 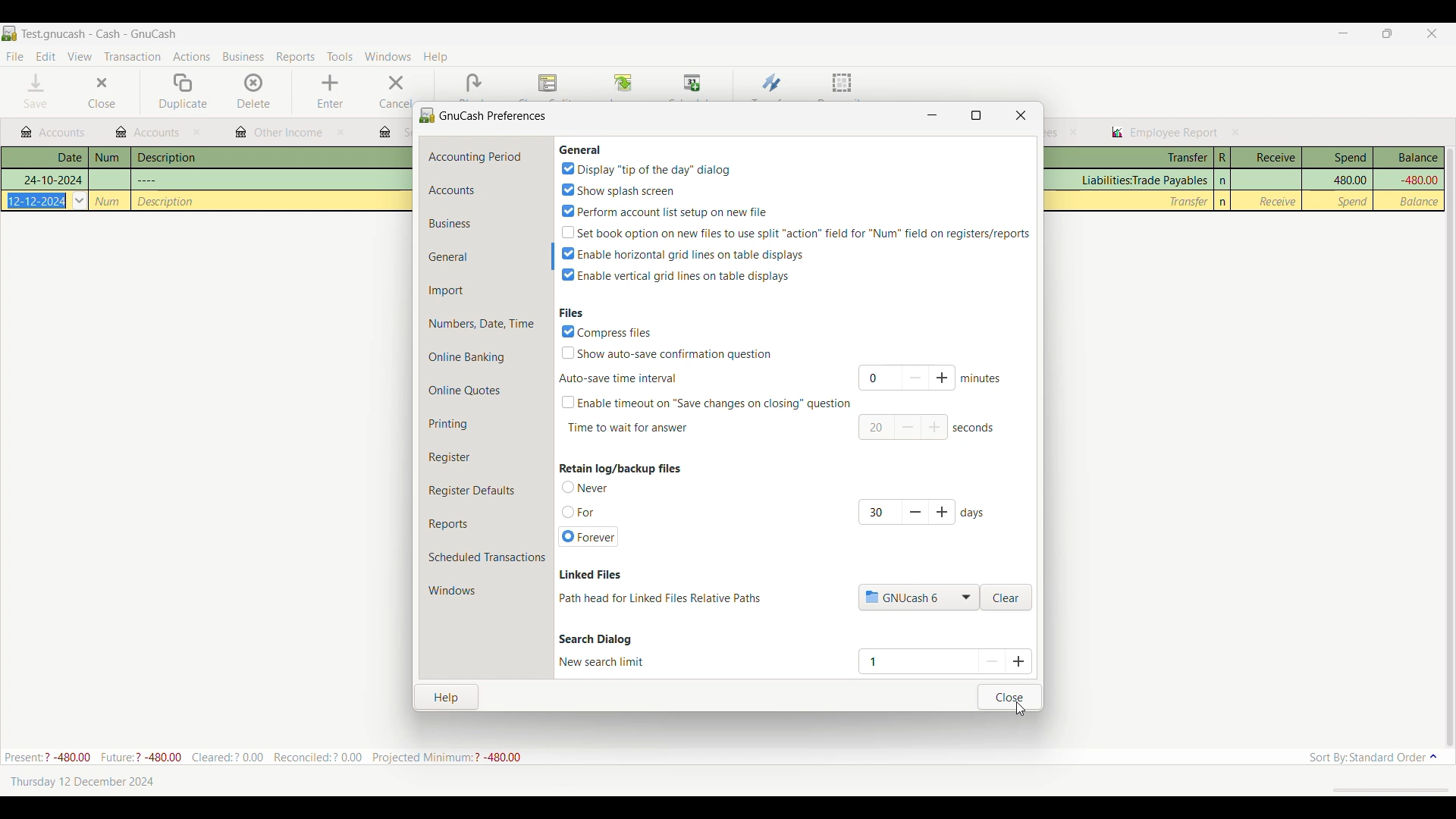 What do you see at coordinates (1164, 133) in the screenshot?
I see `Other budgets and reports` at bounding box center [1164, 133].